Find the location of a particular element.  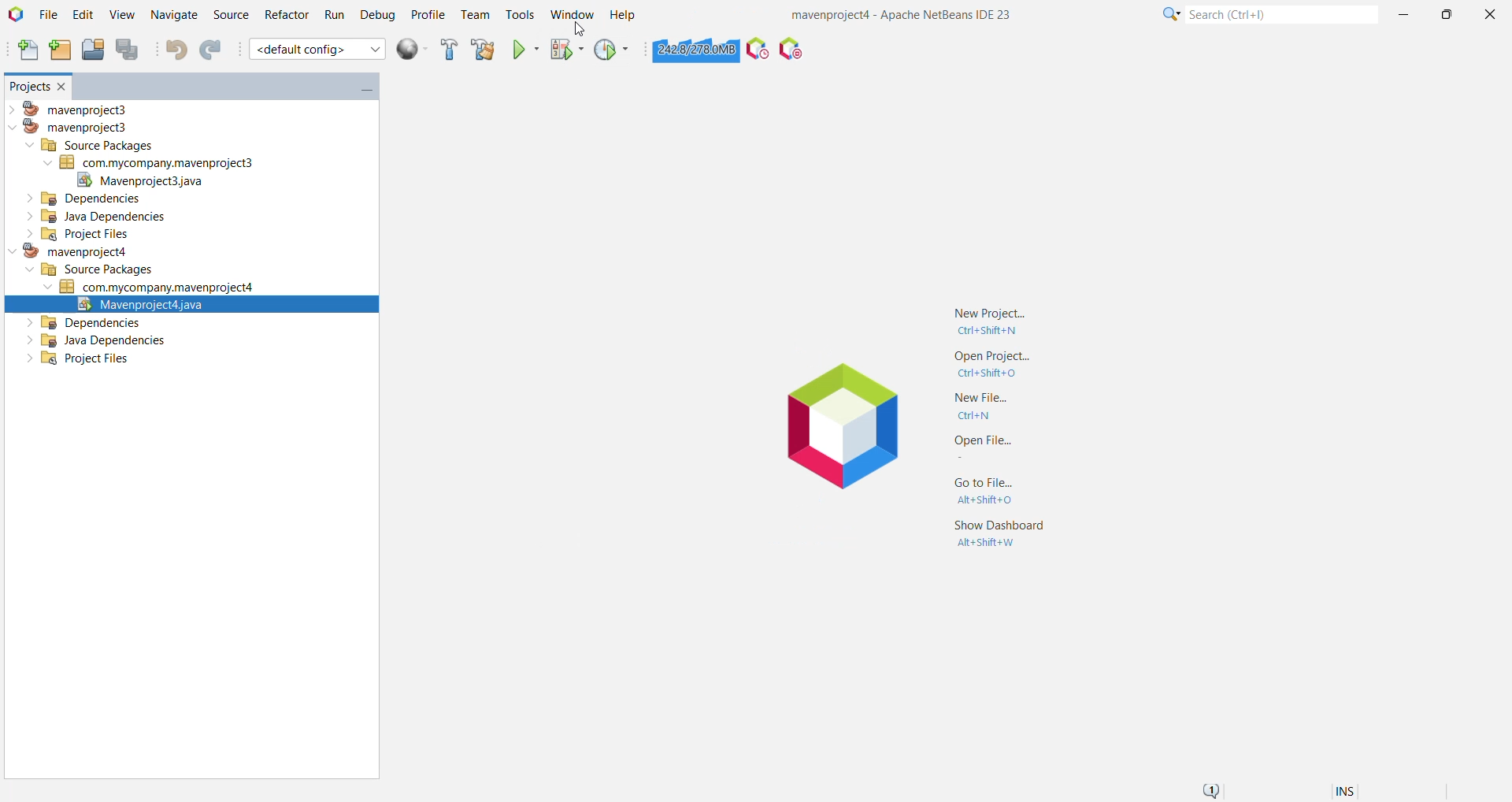

Click for Category Selection is located at coordinates (1167, 17).